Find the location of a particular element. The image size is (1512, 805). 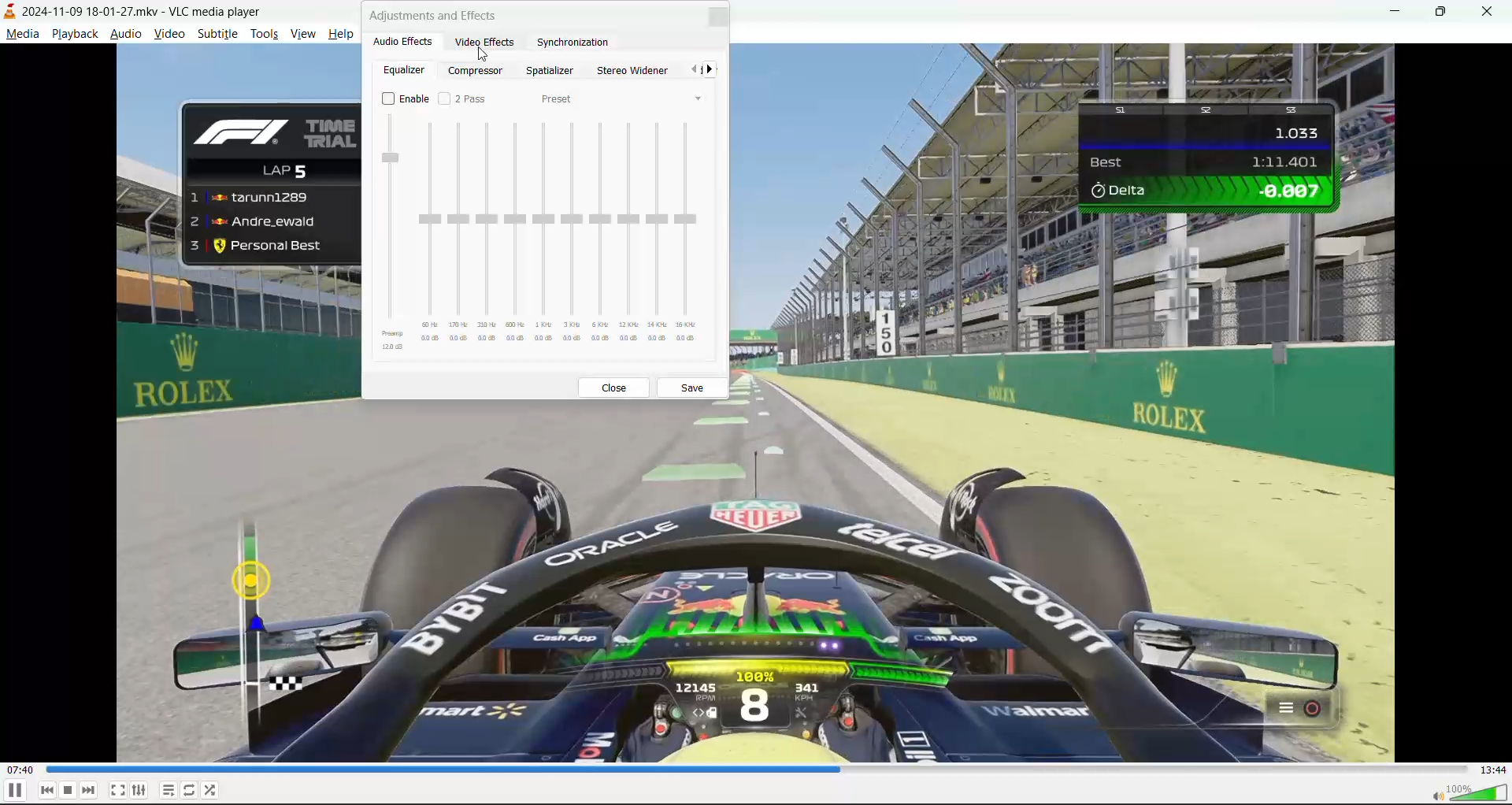

fullscreen is located at coordinates (117, 787).